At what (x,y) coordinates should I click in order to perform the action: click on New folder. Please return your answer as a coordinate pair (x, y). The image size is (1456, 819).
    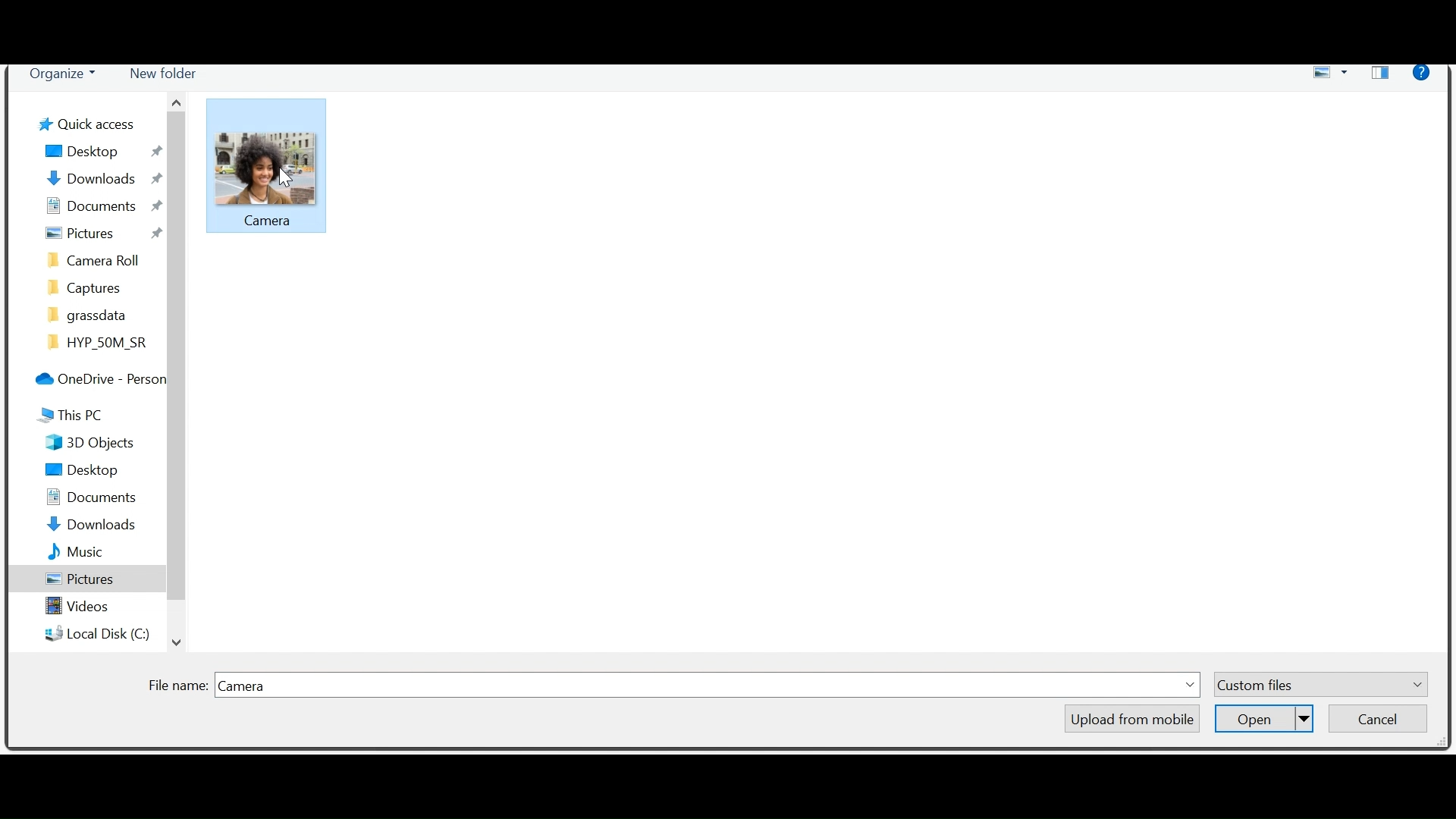
    Looking at the image, I should click on (165, 76).